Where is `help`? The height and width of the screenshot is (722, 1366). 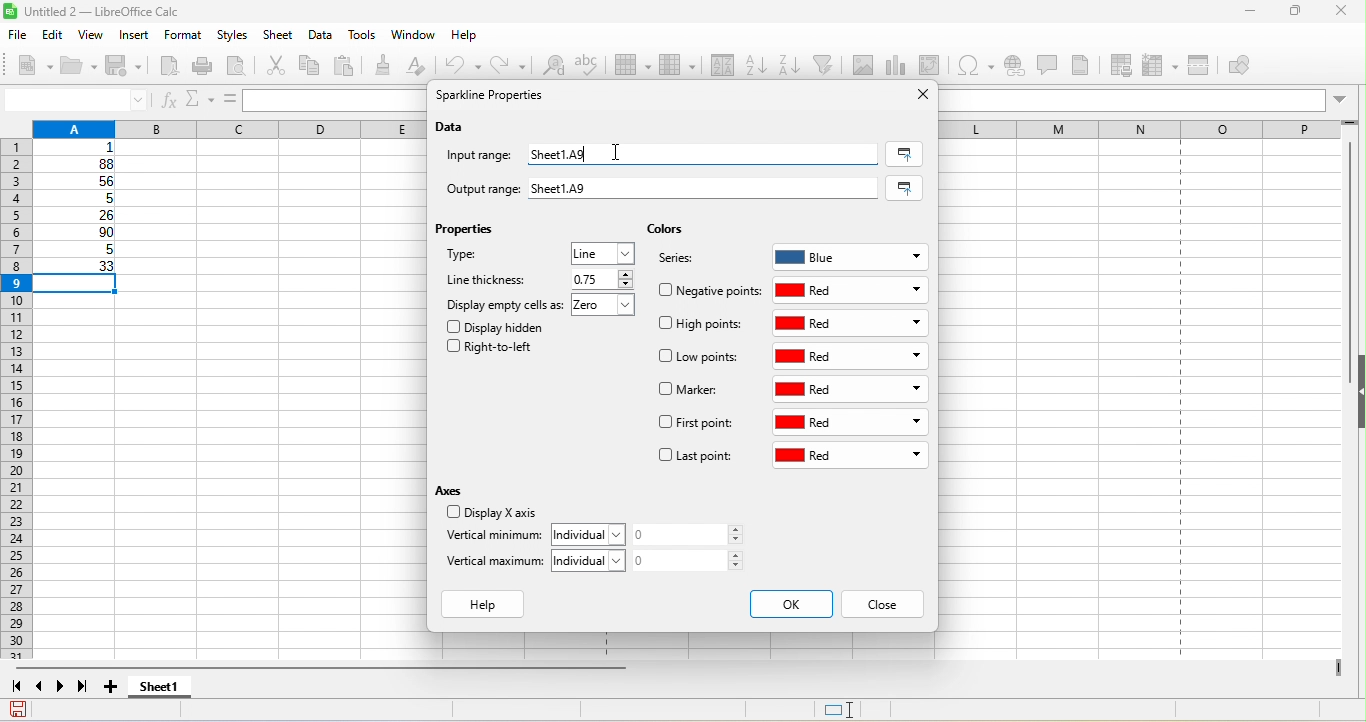 help is located at coordinates (465, 39).